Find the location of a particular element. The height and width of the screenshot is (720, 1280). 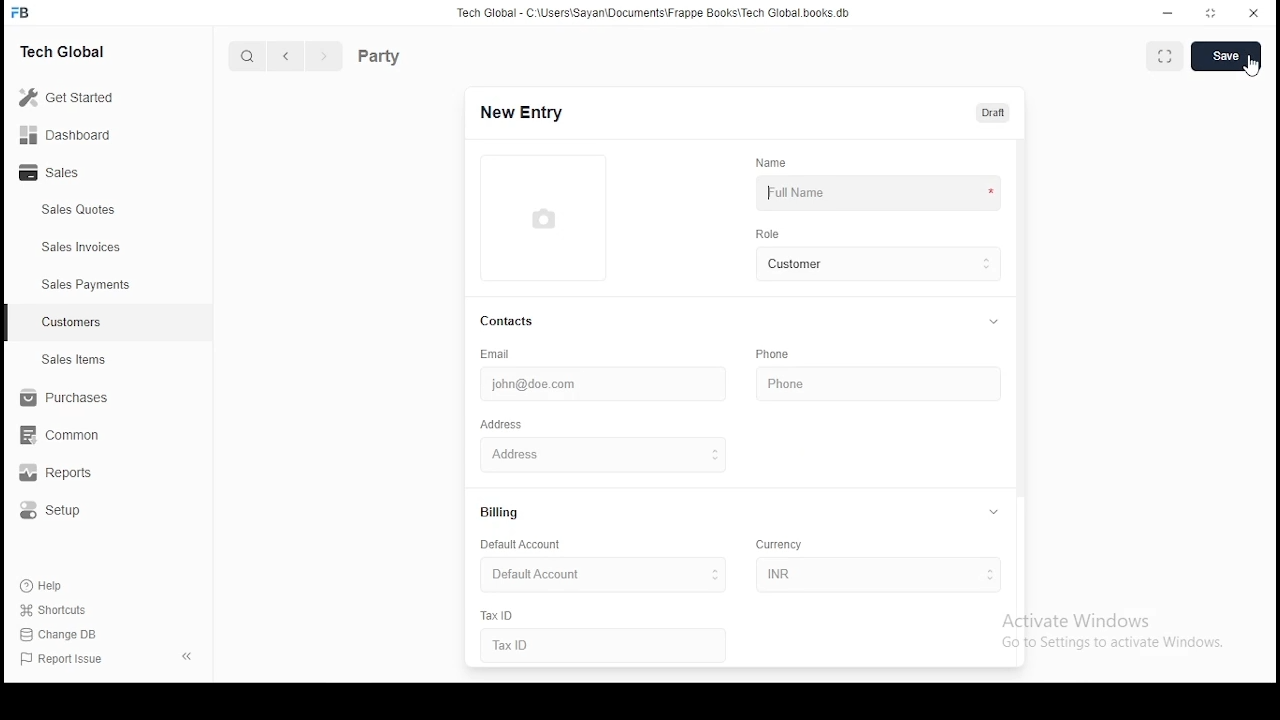

default account is located at coordinates (594, 574).